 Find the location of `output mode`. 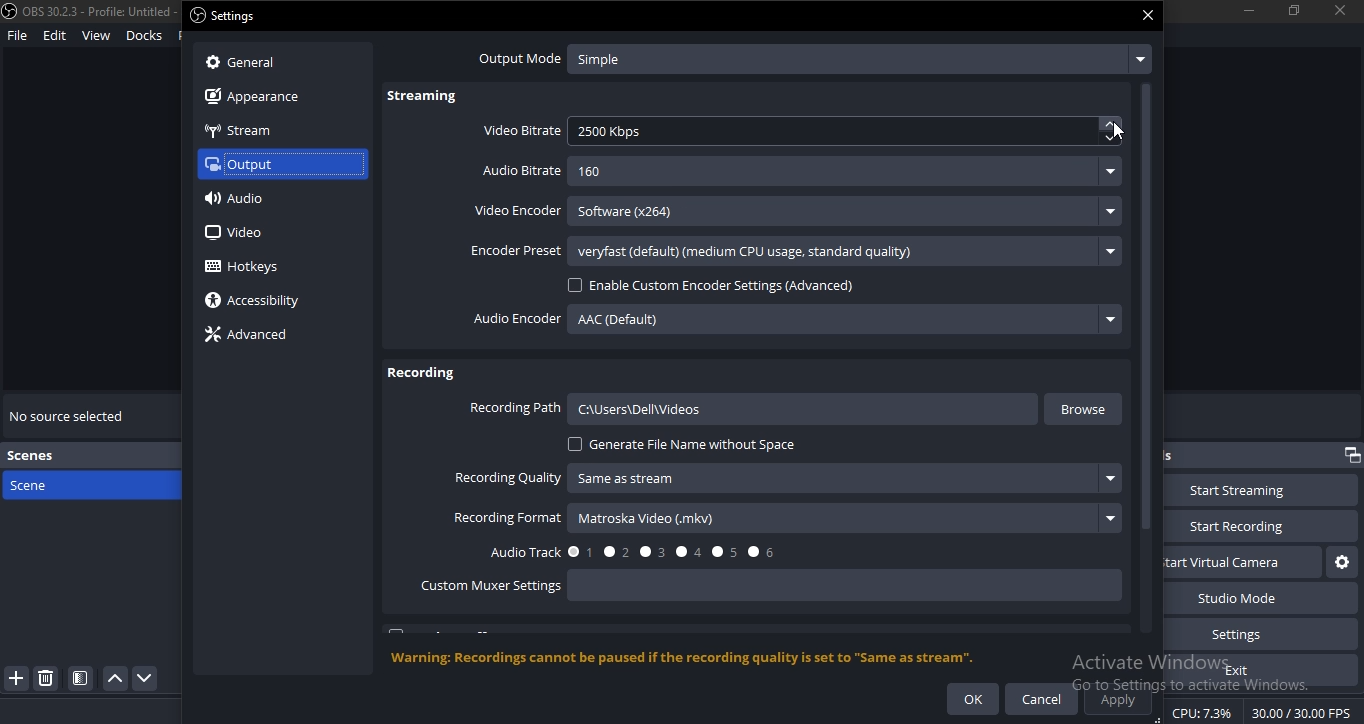

output mode is located at coordinates (812, 58).